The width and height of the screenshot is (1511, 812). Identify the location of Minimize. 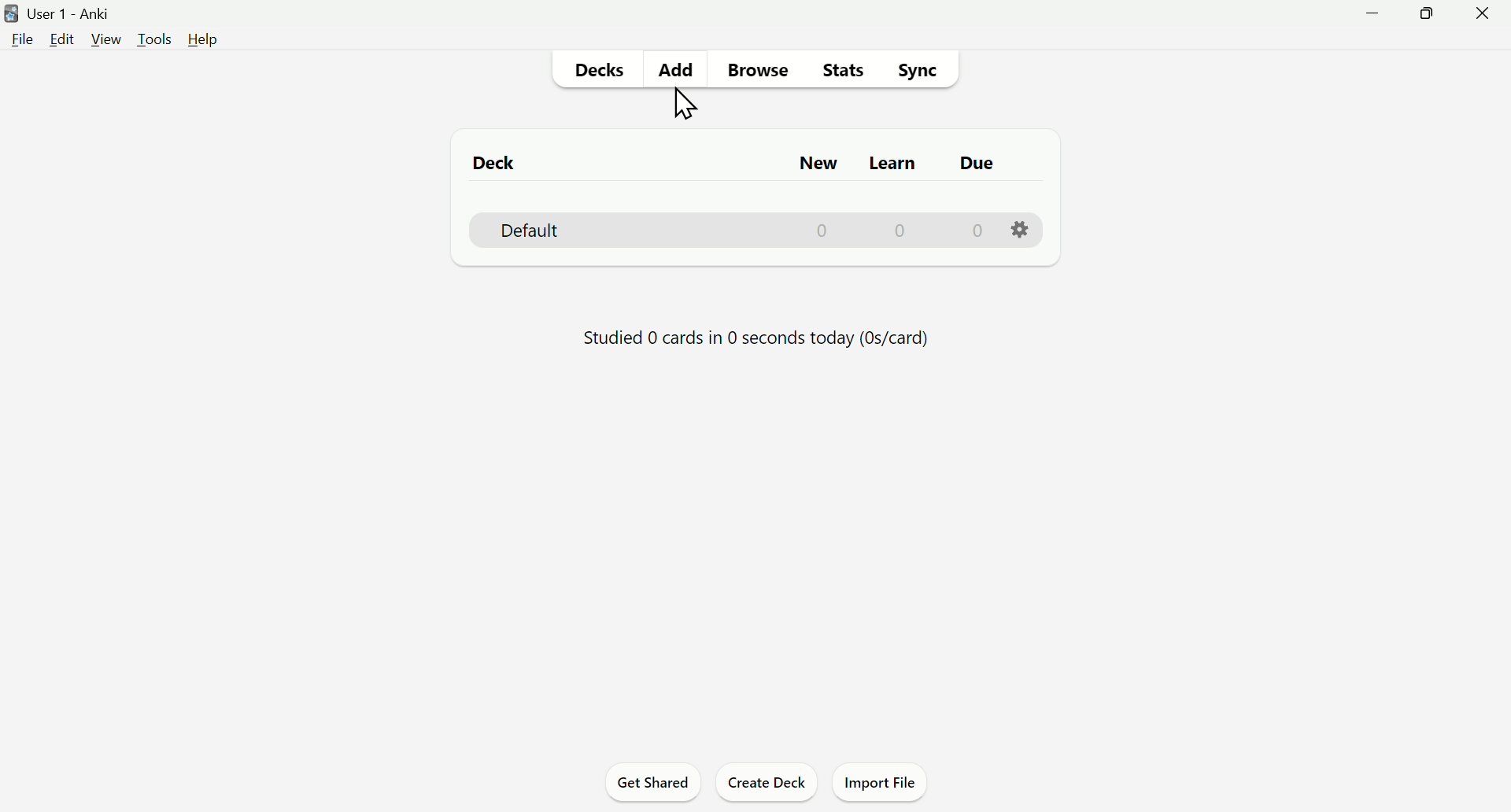
(1373, 17).